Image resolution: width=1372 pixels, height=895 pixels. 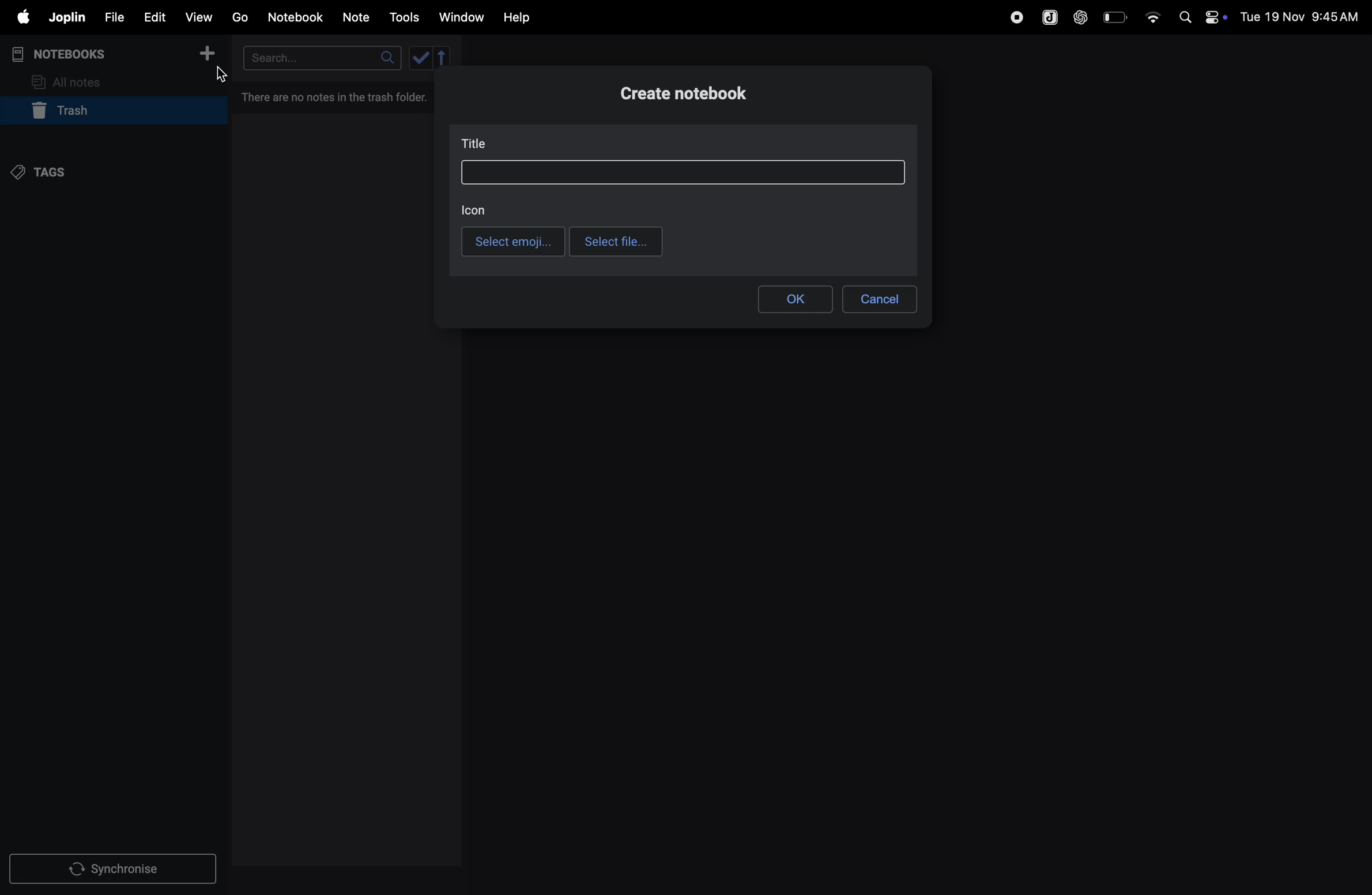 What do you see at coordinates (47, 171) in the screenshot?
I see `tags` at bounding box center [47, 171].